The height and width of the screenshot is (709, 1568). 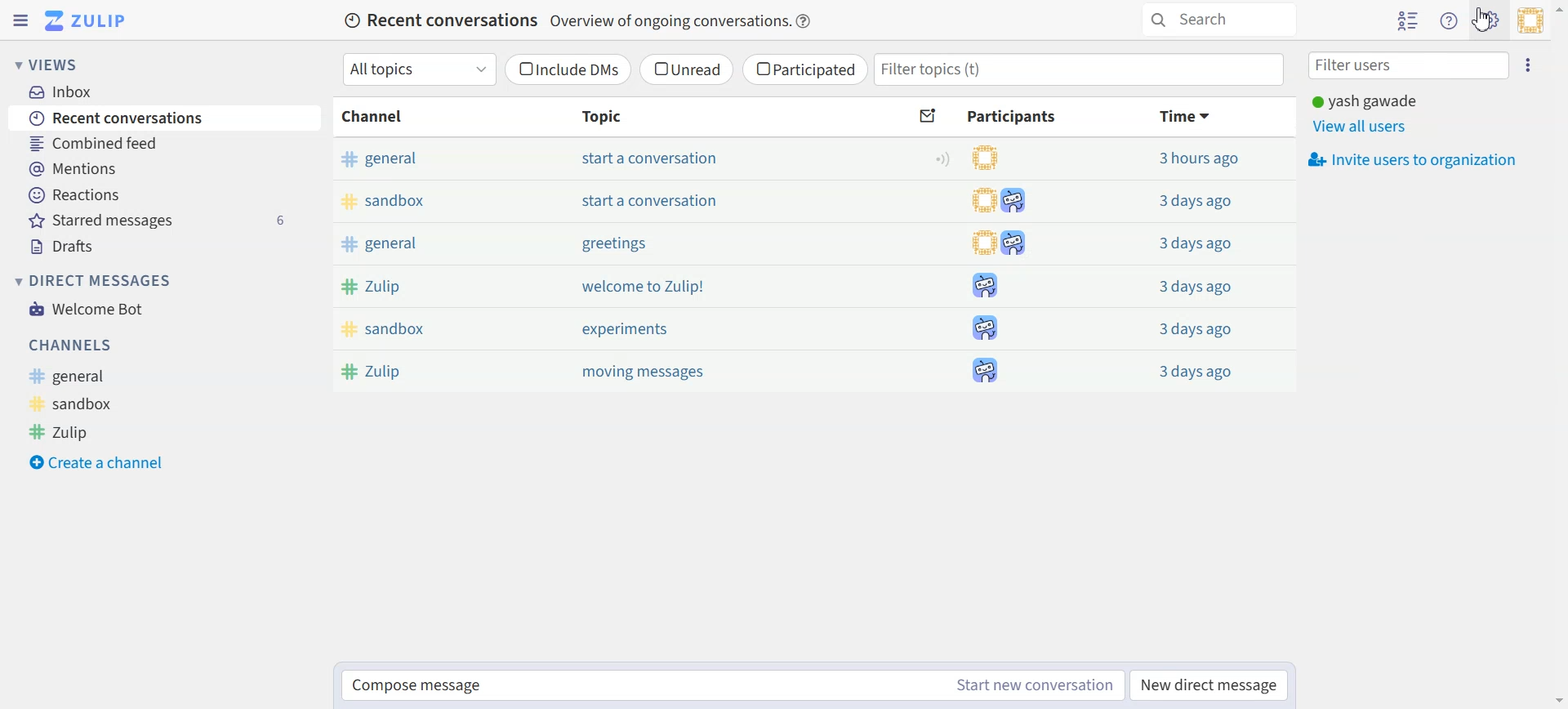 What do you see at coordinates (1221, 20) in the screenshot?
I see `Search` at bounding box center [1221, 20].